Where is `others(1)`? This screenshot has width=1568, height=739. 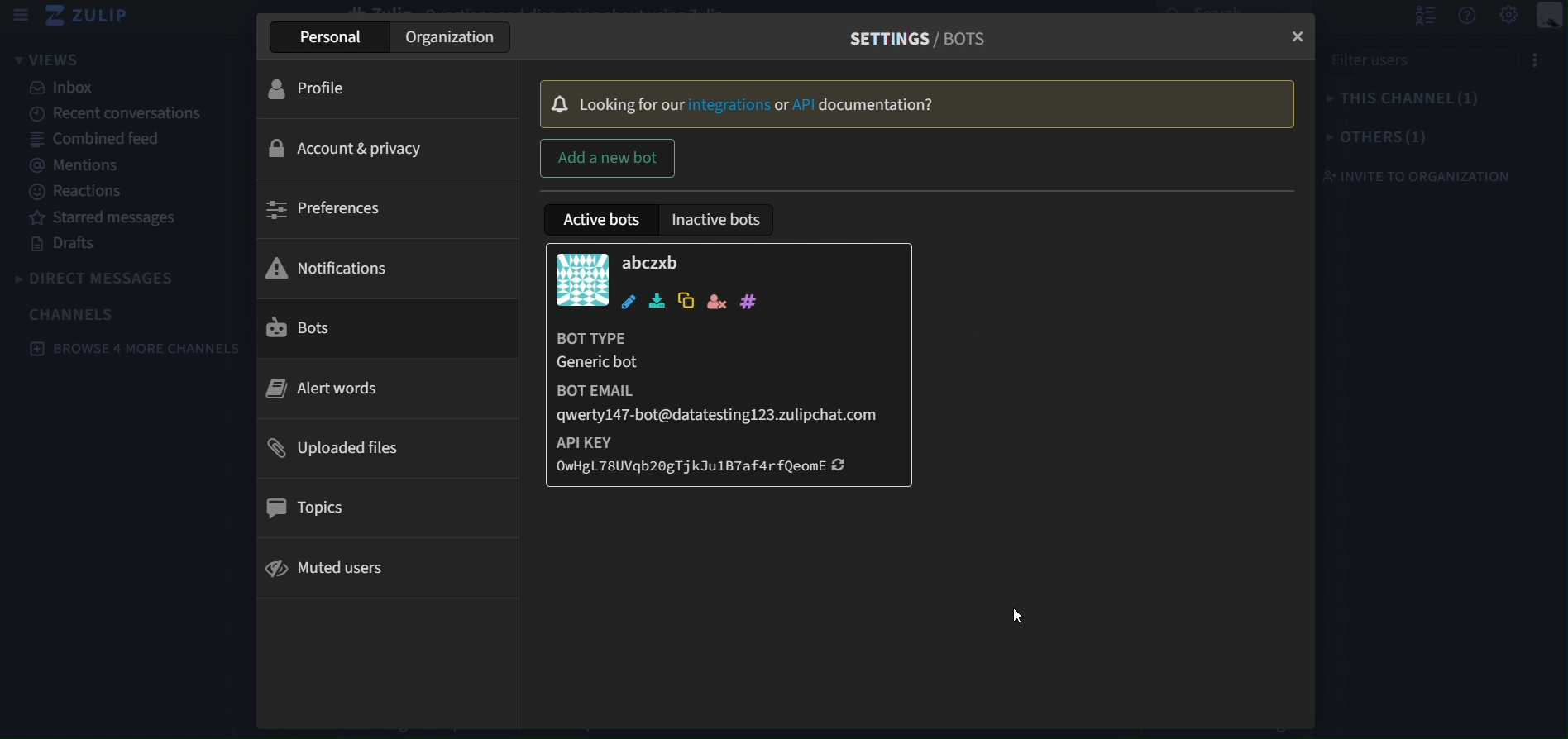 others(1) is located at coordinates (1430, 139).